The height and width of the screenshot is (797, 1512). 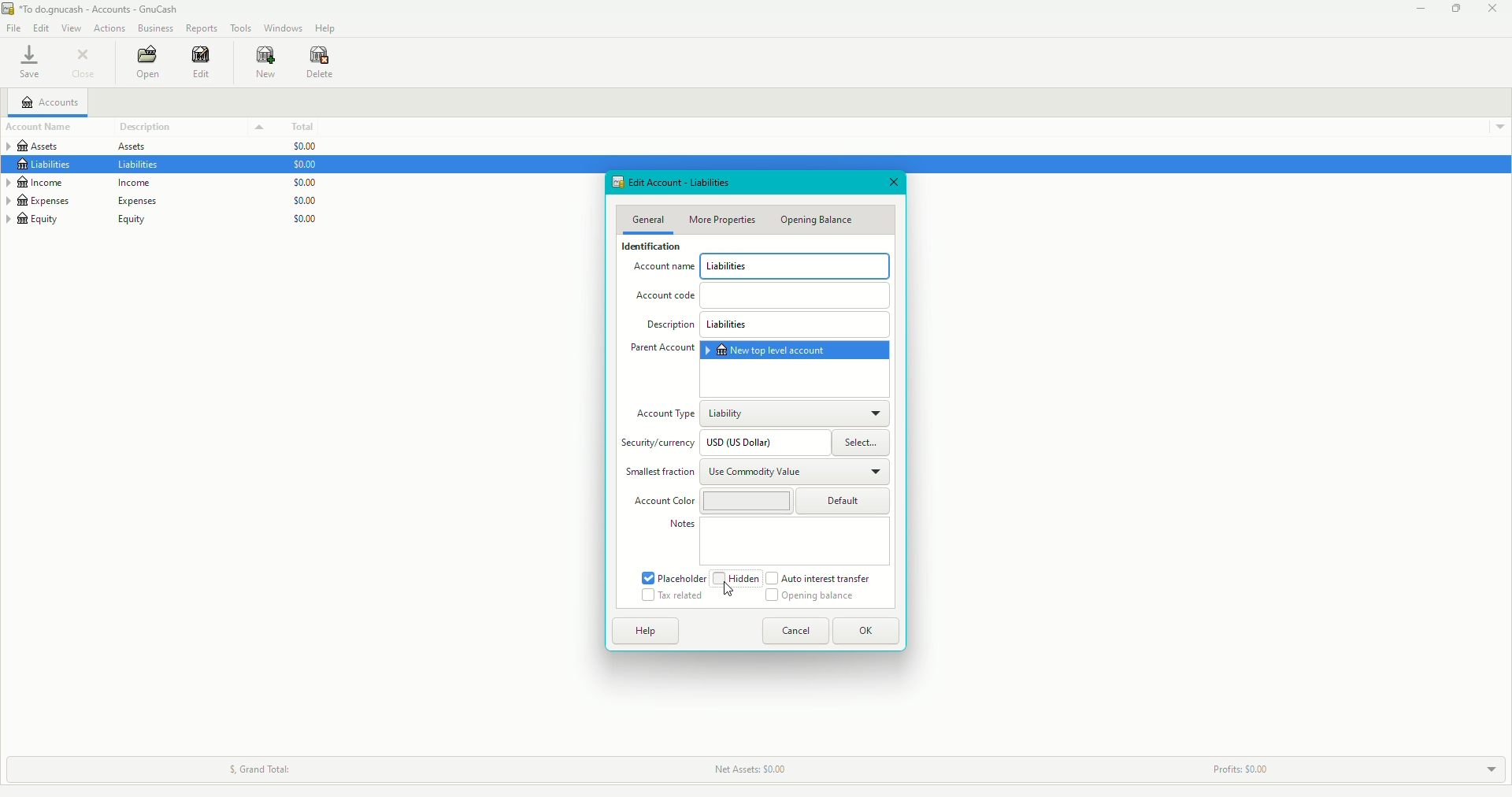 I want to click on Security/Currency, so click(x=658, y=447).